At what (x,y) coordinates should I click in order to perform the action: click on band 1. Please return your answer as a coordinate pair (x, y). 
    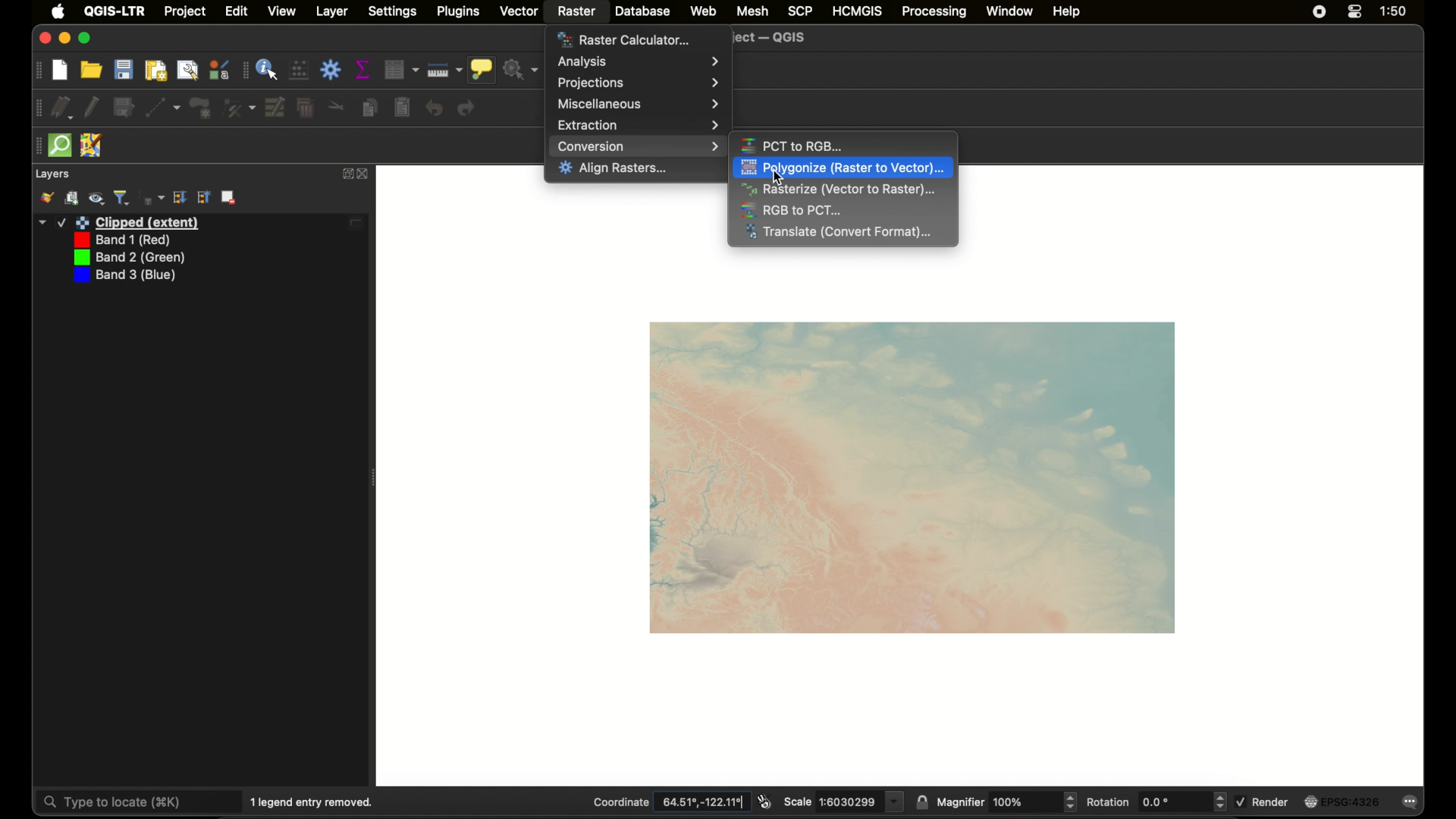
    Looking at the image, I should click on (120, 240).